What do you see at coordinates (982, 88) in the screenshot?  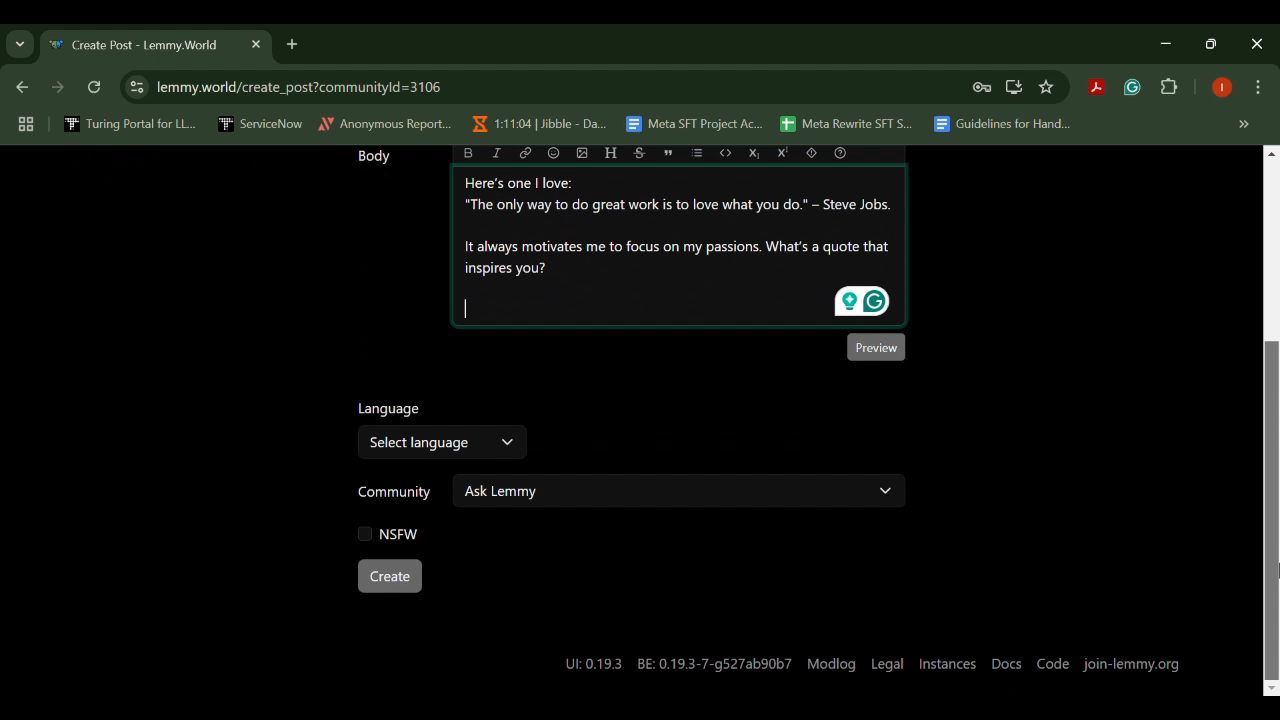 I see `Site Password Data Saved` at bounding box center [982, 88].